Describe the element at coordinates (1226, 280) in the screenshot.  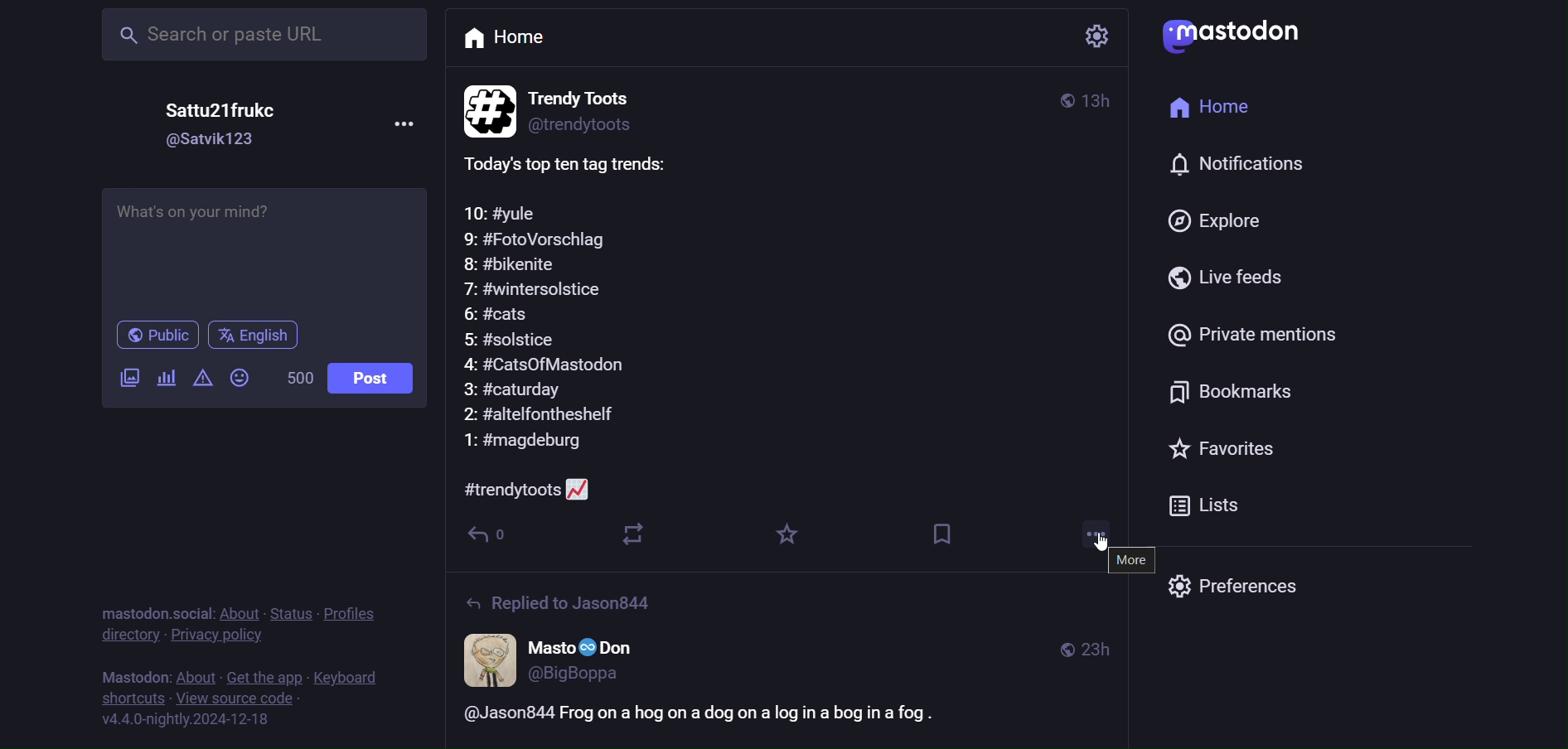
I see `live feeds` at that location.